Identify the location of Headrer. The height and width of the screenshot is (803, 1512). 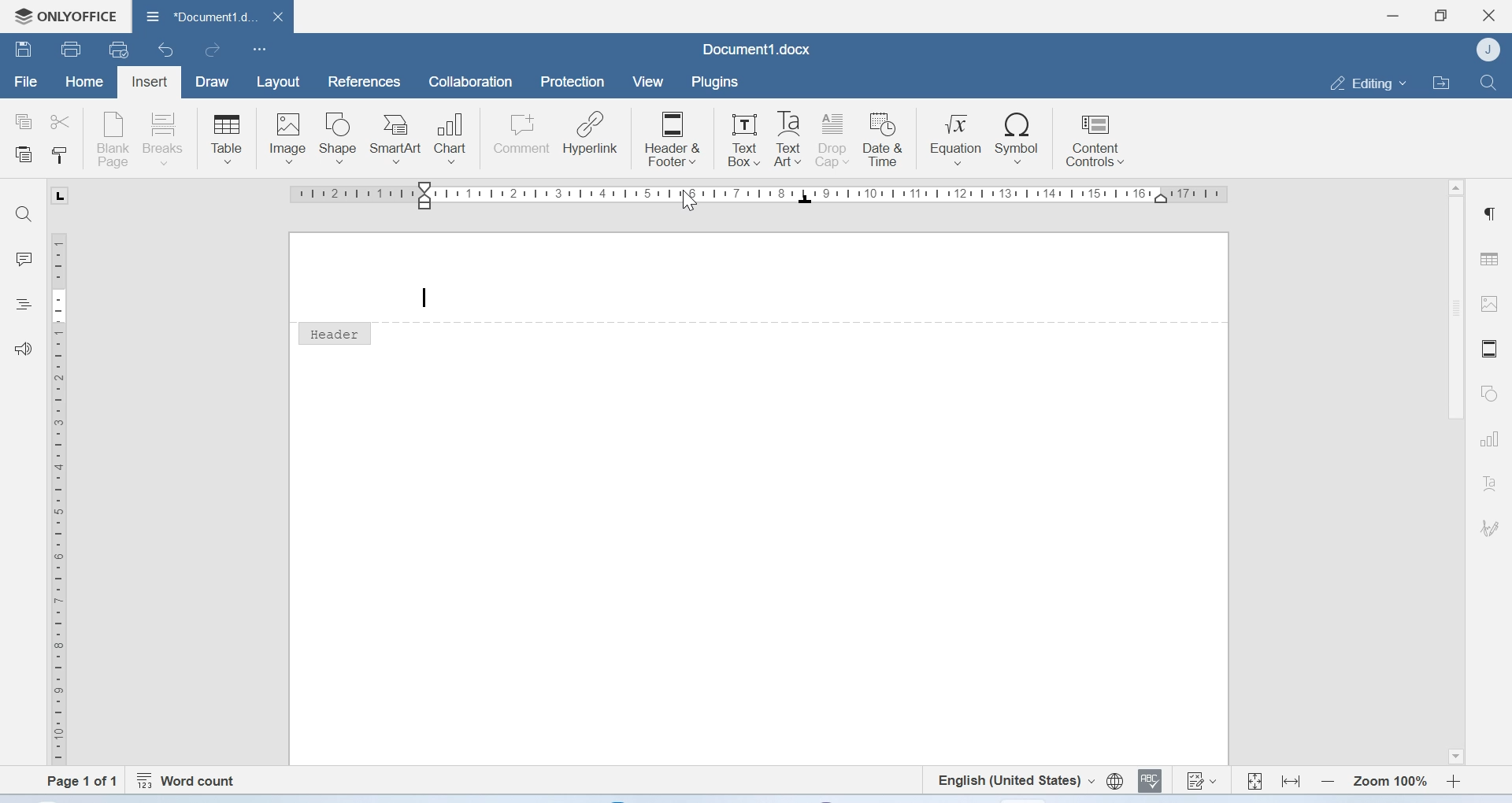
(335, 335).